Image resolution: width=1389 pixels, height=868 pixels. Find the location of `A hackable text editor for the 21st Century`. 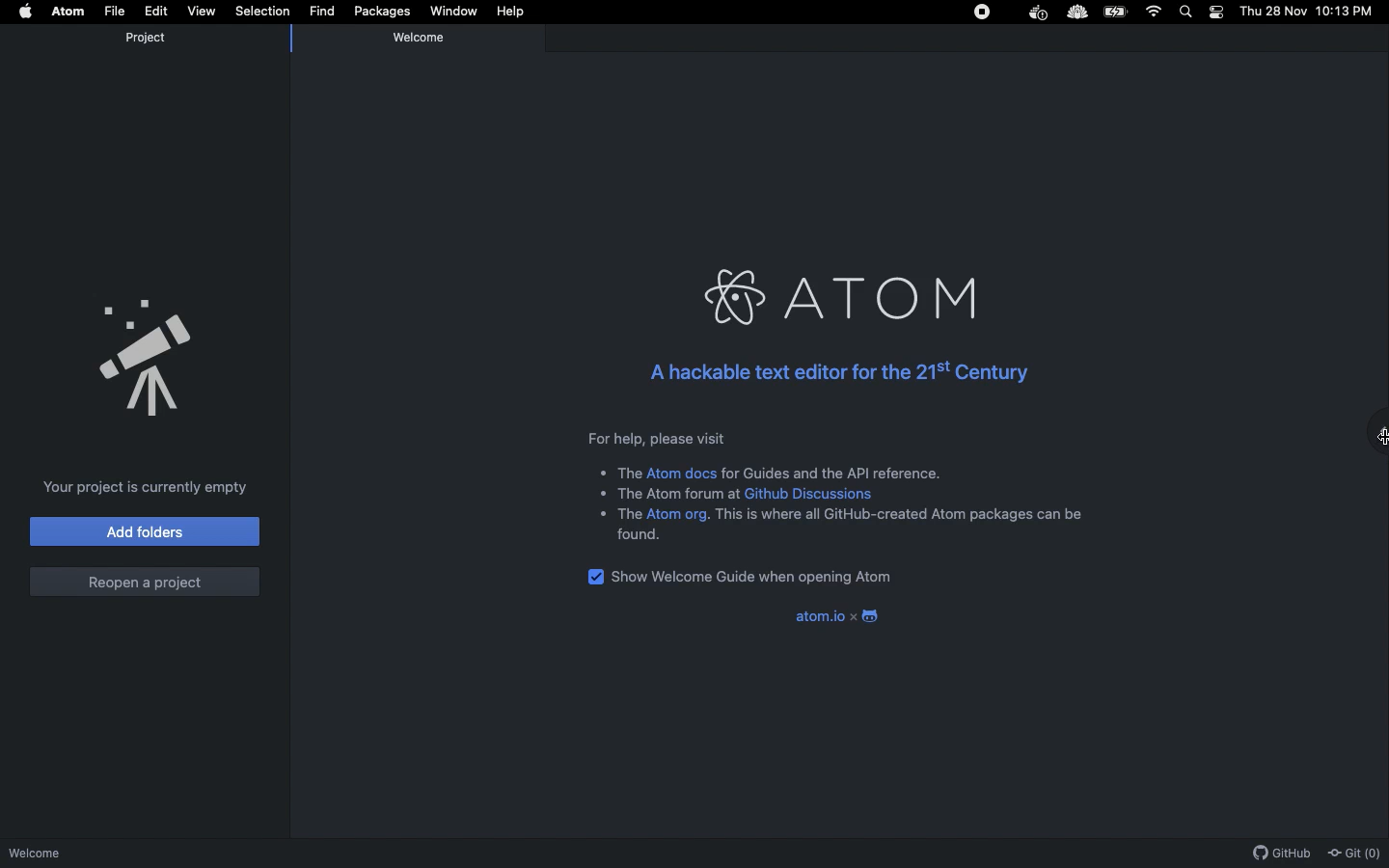

A hackable text editor for the 21st Century is located at coordinates (837, 383).